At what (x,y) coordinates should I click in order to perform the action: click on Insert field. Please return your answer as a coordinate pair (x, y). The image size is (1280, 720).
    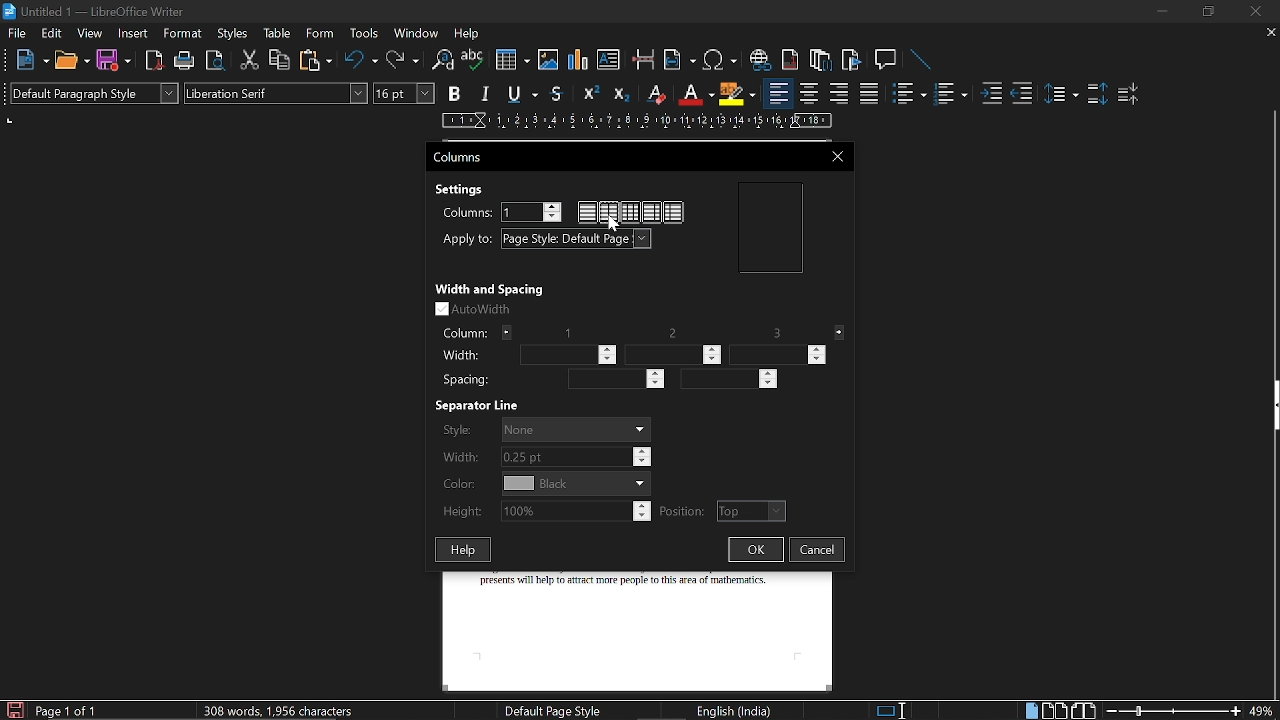
    Looking at the image, I should click on (679, 61).